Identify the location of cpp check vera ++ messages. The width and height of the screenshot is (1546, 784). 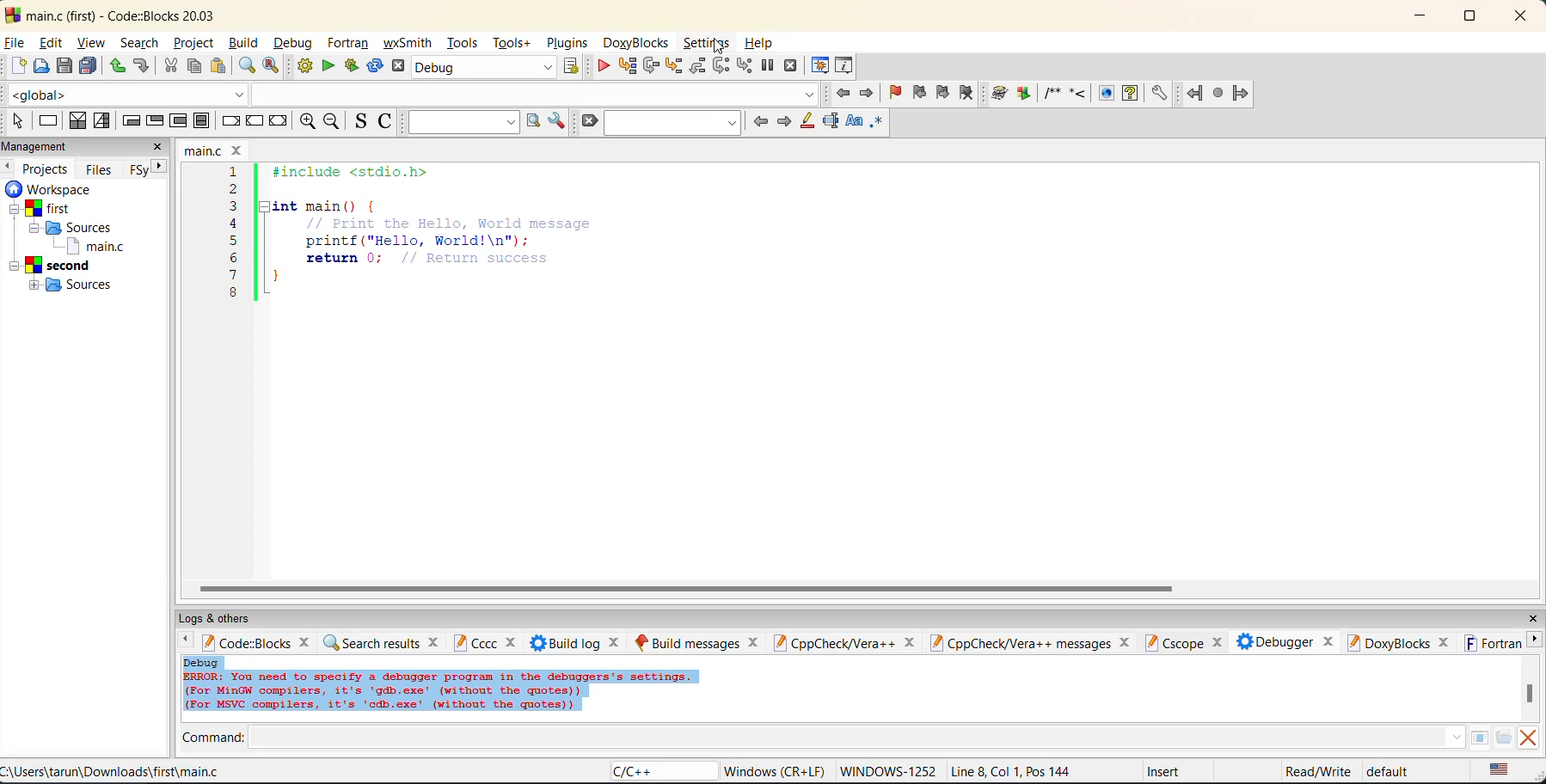
(1028, 642).